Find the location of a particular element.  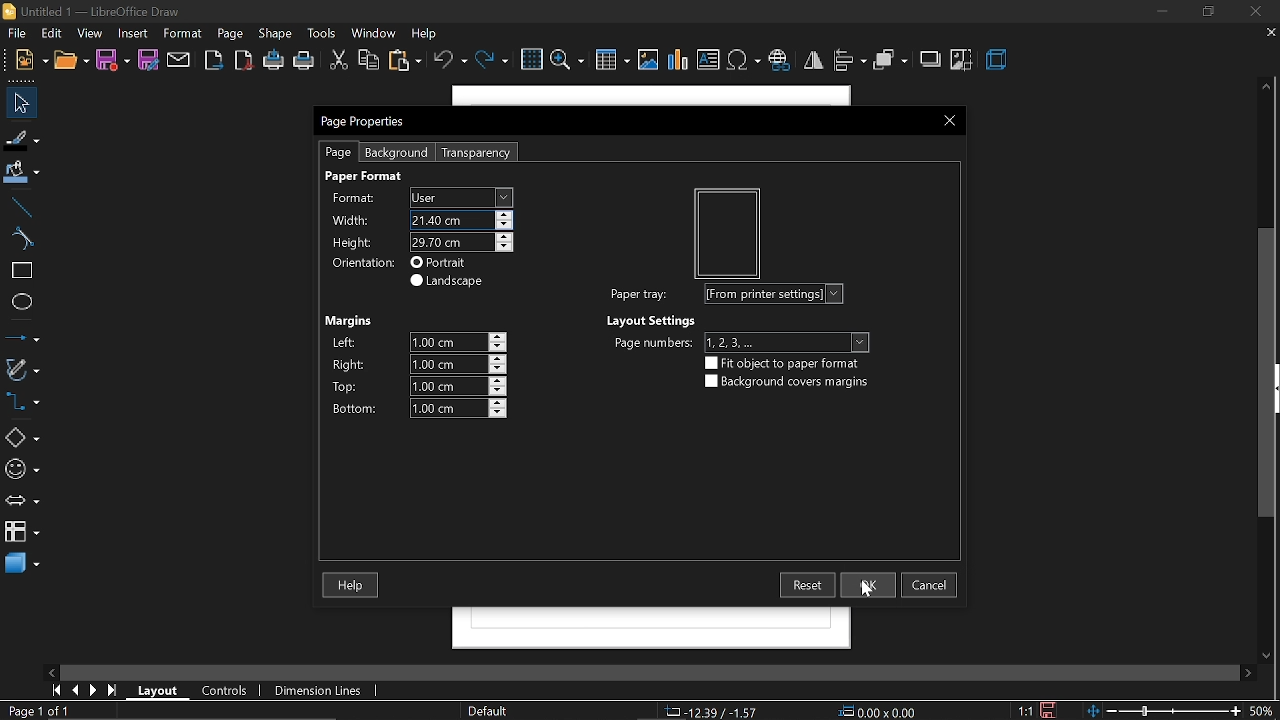

29.70 cm is located at coordinates (460, 242).